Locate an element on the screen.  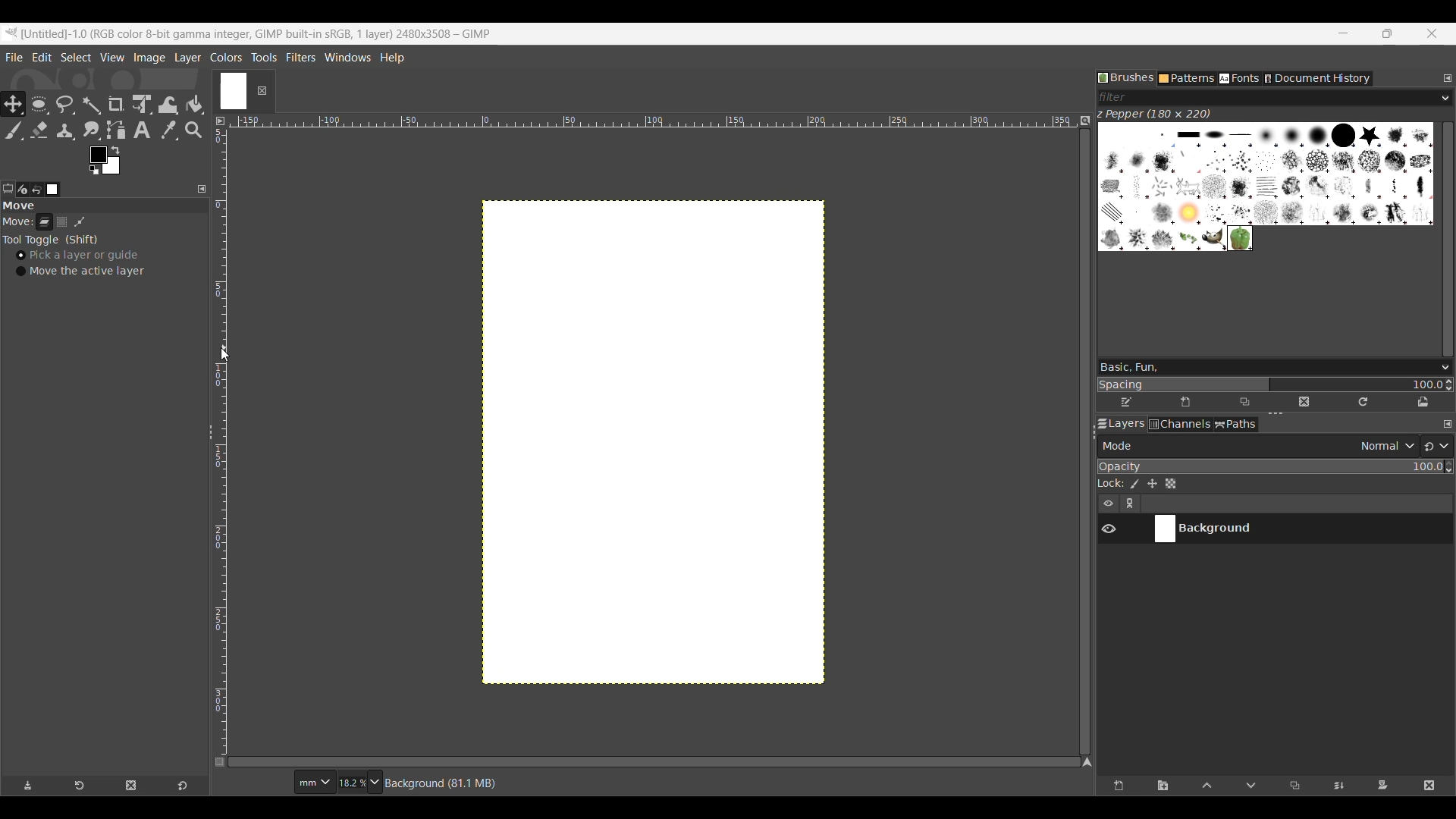
Minimize  is located at coordinates (1344, 33).